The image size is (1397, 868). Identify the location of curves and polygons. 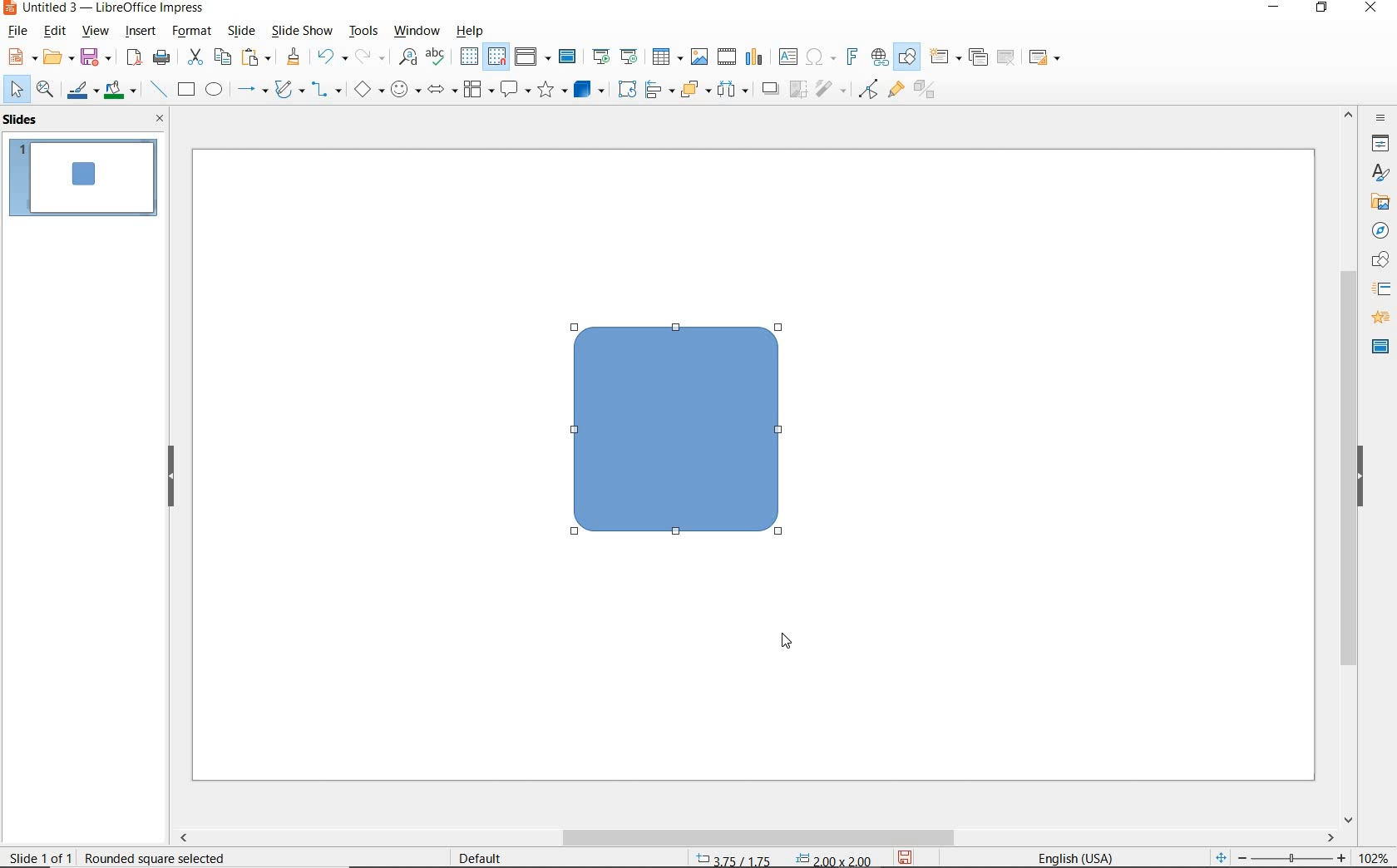
(288, 91).